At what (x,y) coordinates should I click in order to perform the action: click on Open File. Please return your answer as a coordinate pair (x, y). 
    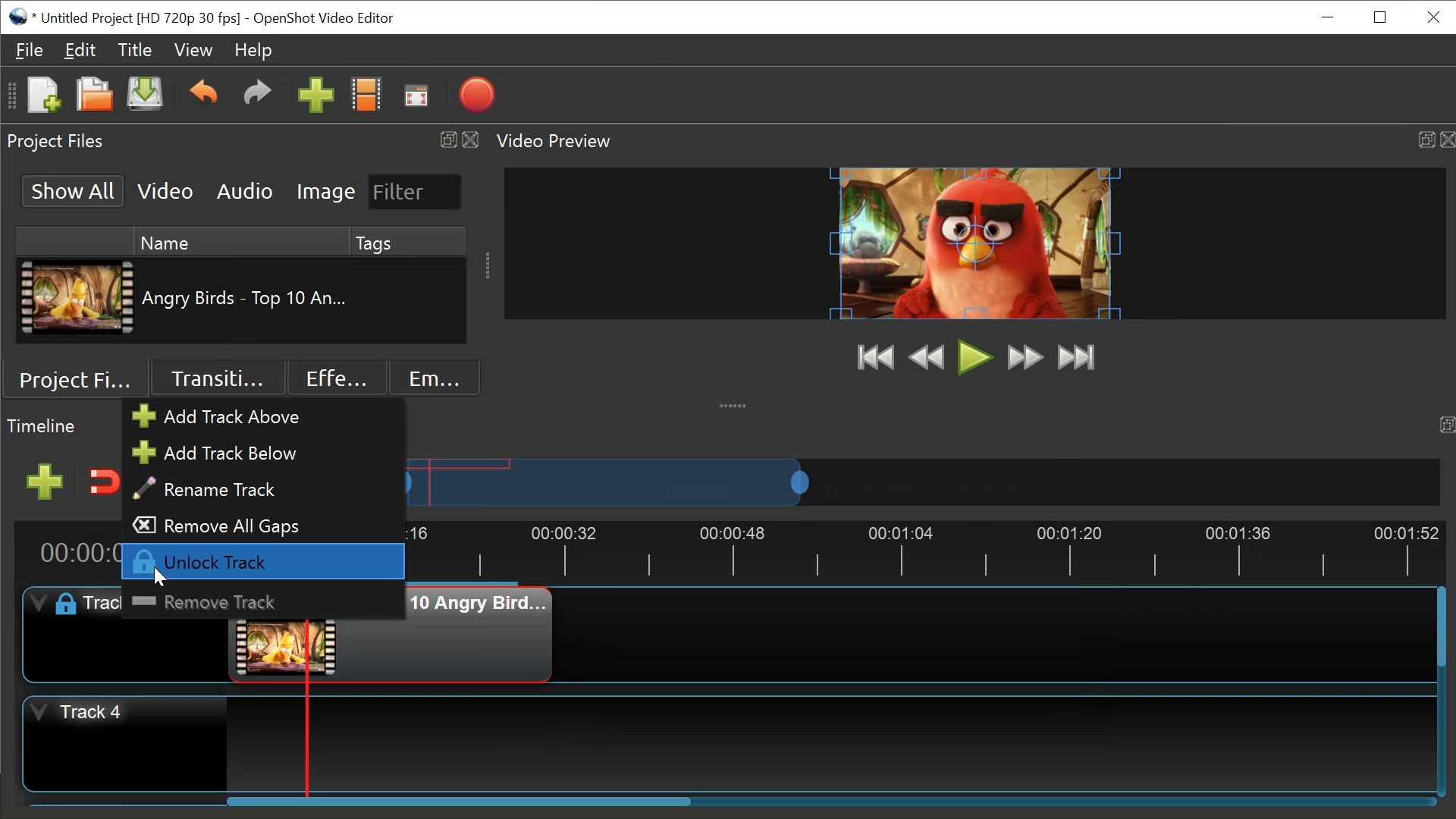
    Looking at the image, I should click on (96, 96).